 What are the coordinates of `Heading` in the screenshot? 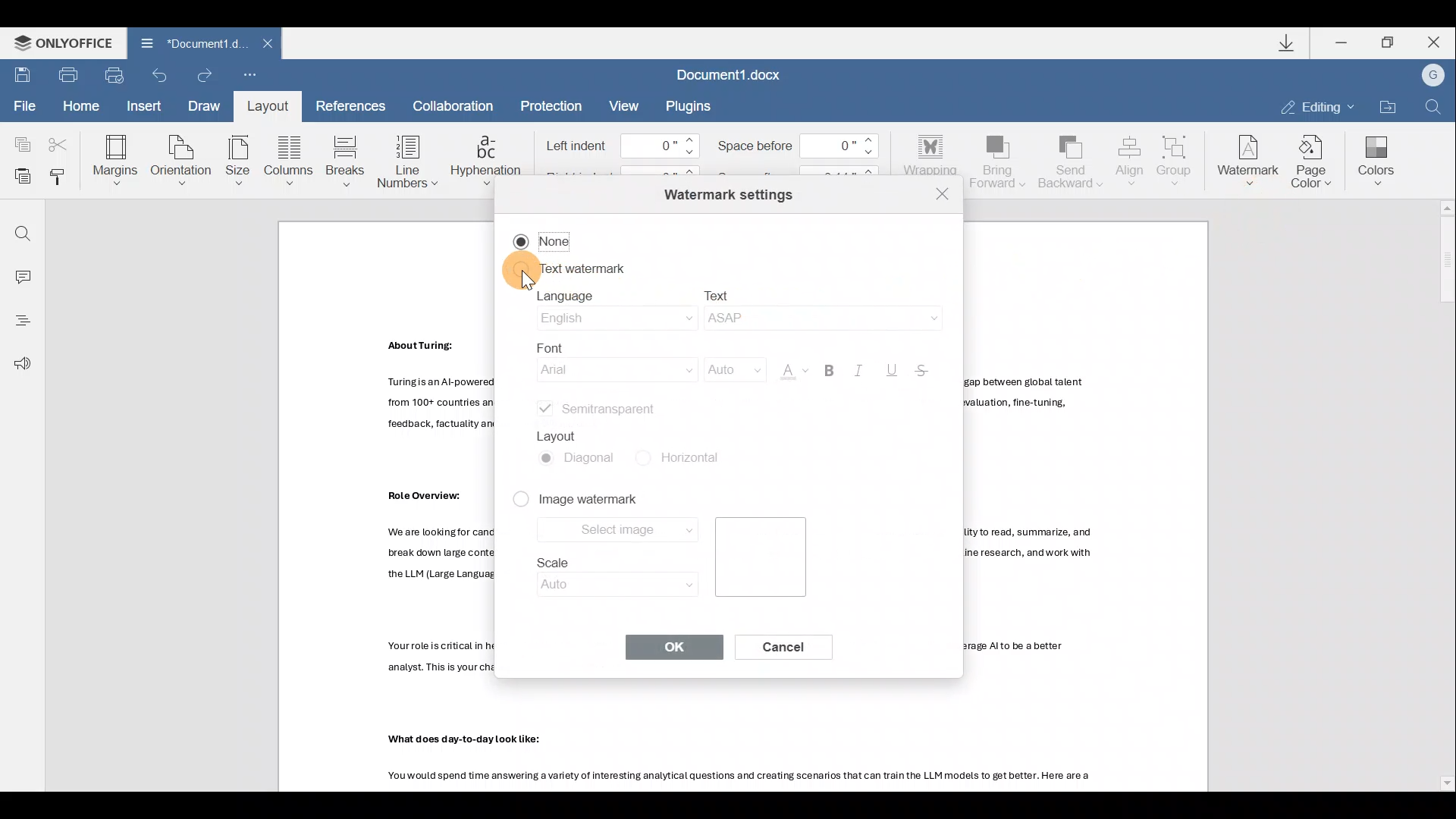 It's located at (21, 321).